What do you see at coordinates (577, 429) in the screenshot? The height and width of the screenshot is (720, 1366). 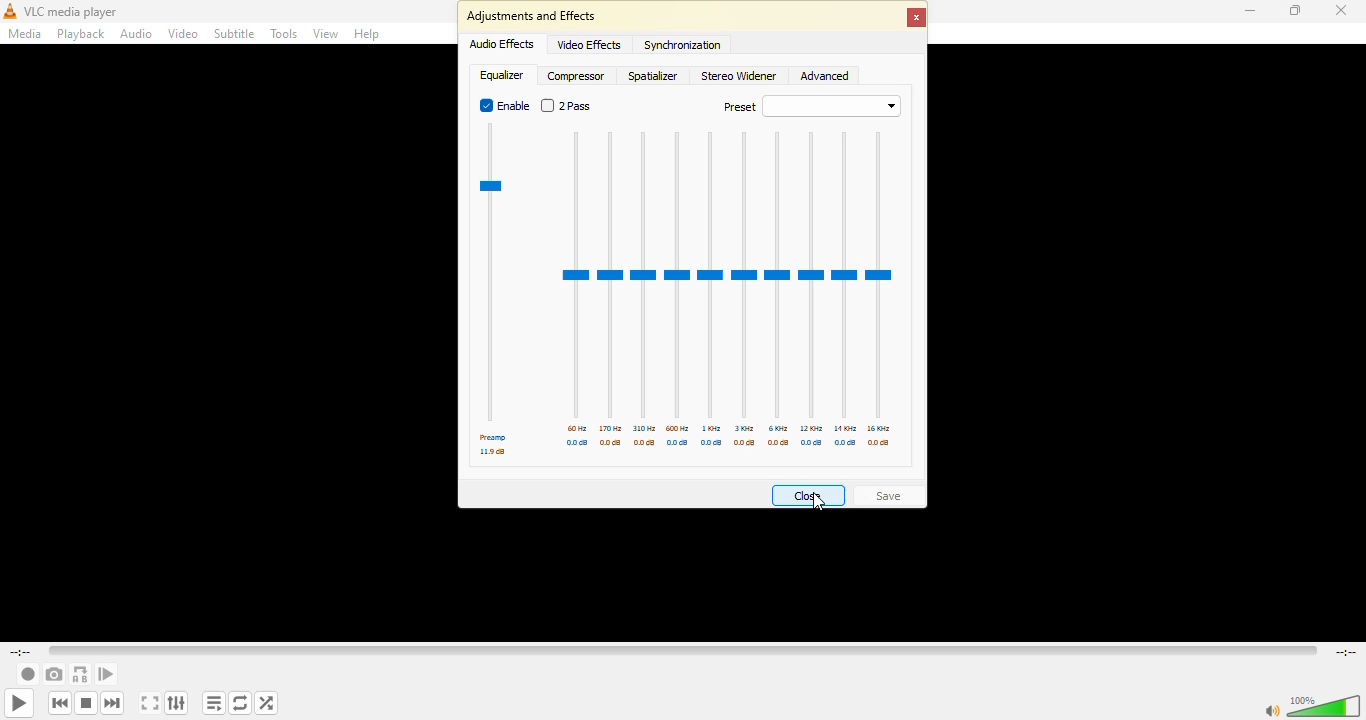 I see `60 hz` at bounding box center [577, 429].